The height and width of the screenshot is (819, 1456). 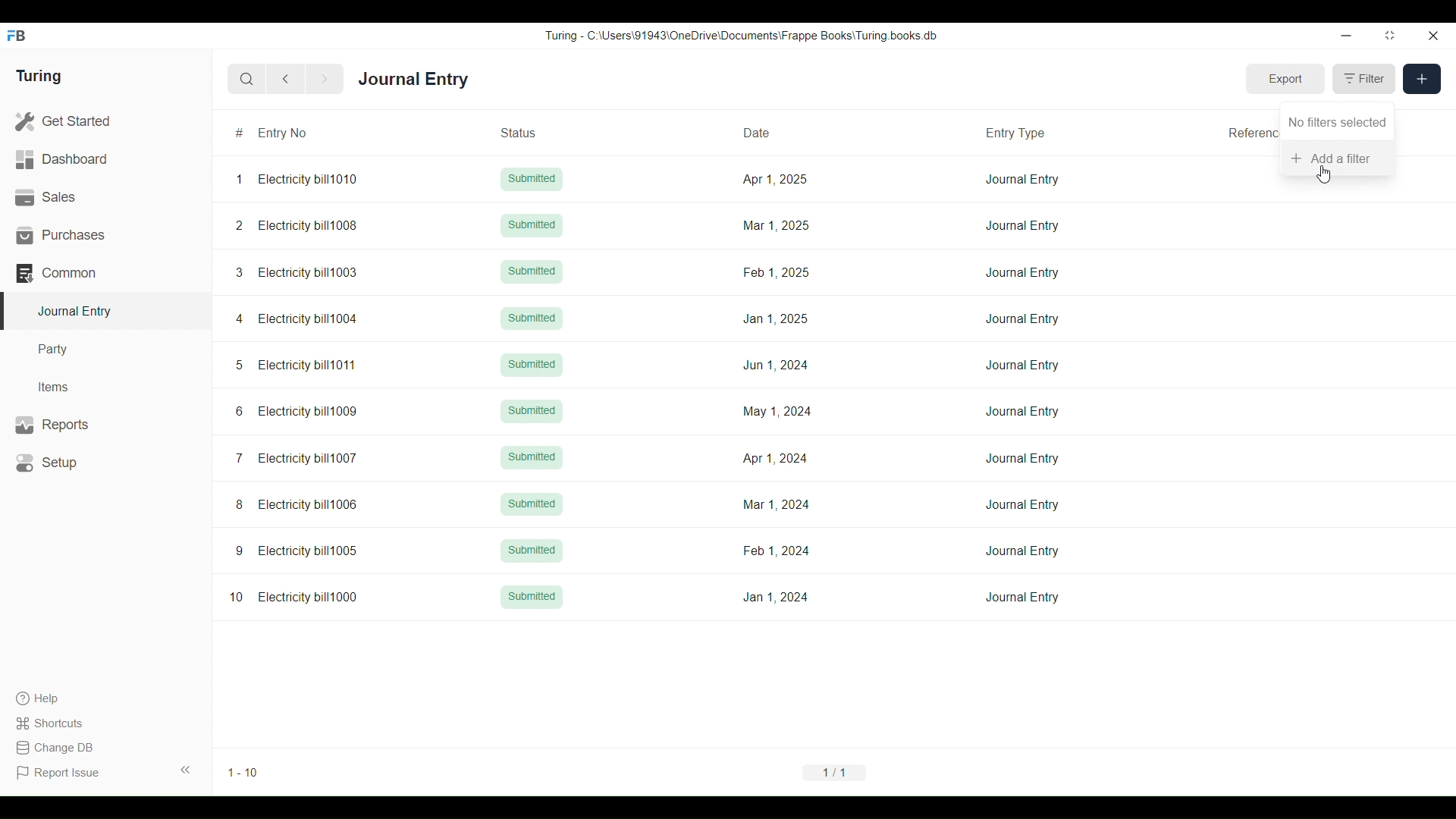 What do you see at coordinates (106, 388) in the screenshot?
I see `Items` at bounding box center [106, 388].